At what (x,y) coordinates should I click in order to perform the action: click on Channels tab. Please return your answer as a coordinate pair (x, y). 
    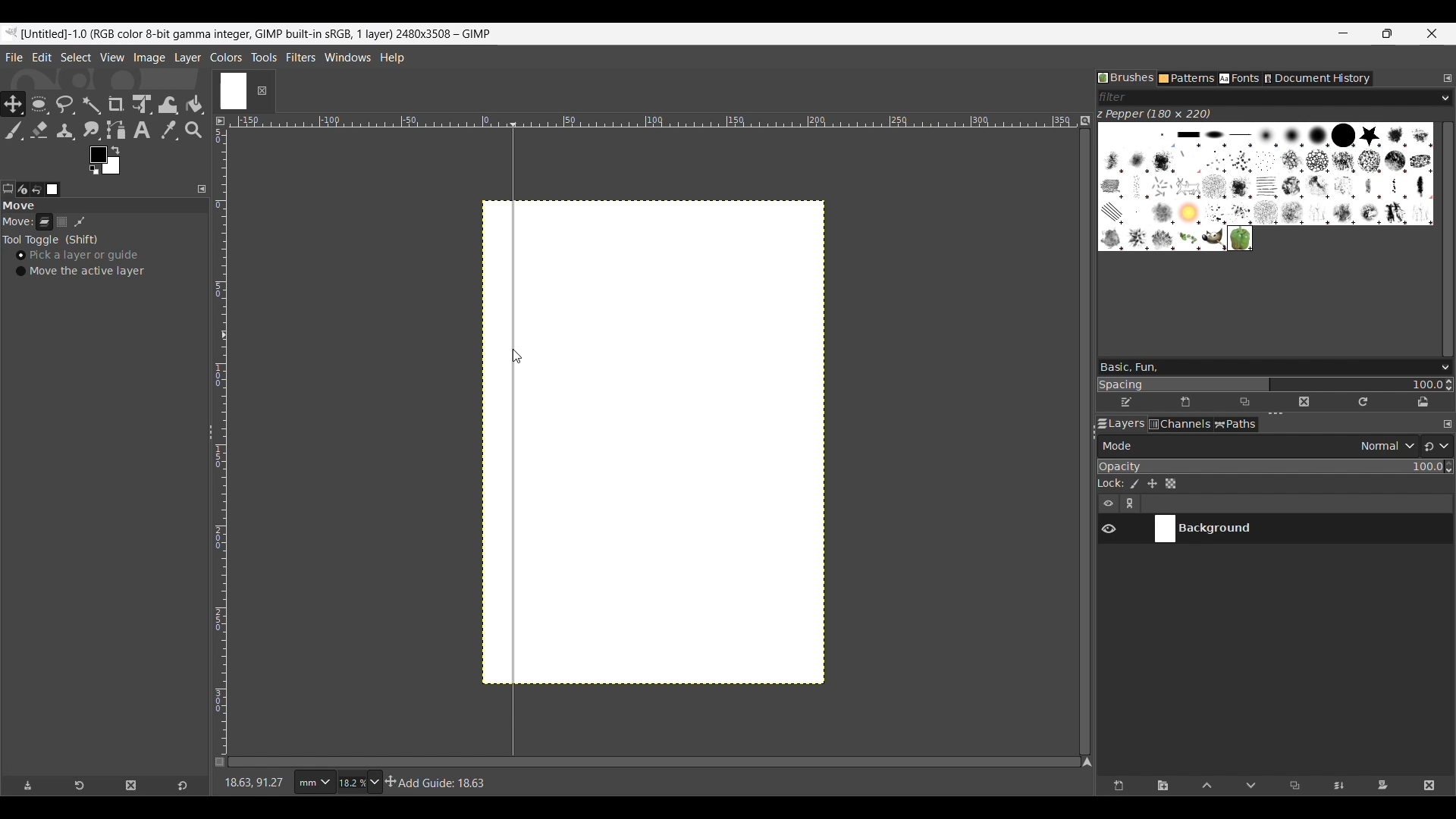
    Looking at the image, I should click on (1180, 424).